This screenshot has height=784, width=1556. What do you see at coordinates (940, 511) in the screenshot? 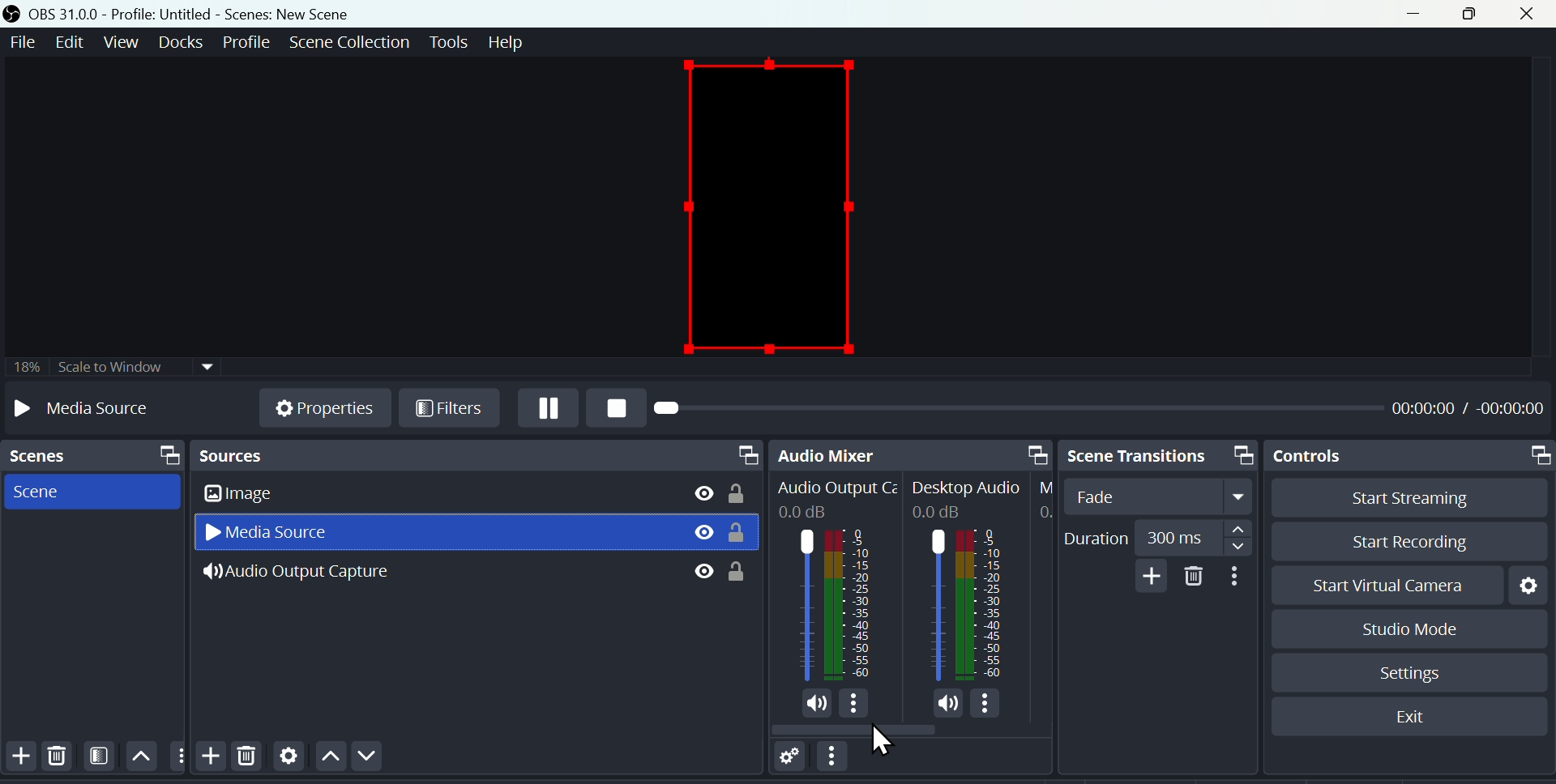
I see `0.0dB` at bounding box center [940, 511].